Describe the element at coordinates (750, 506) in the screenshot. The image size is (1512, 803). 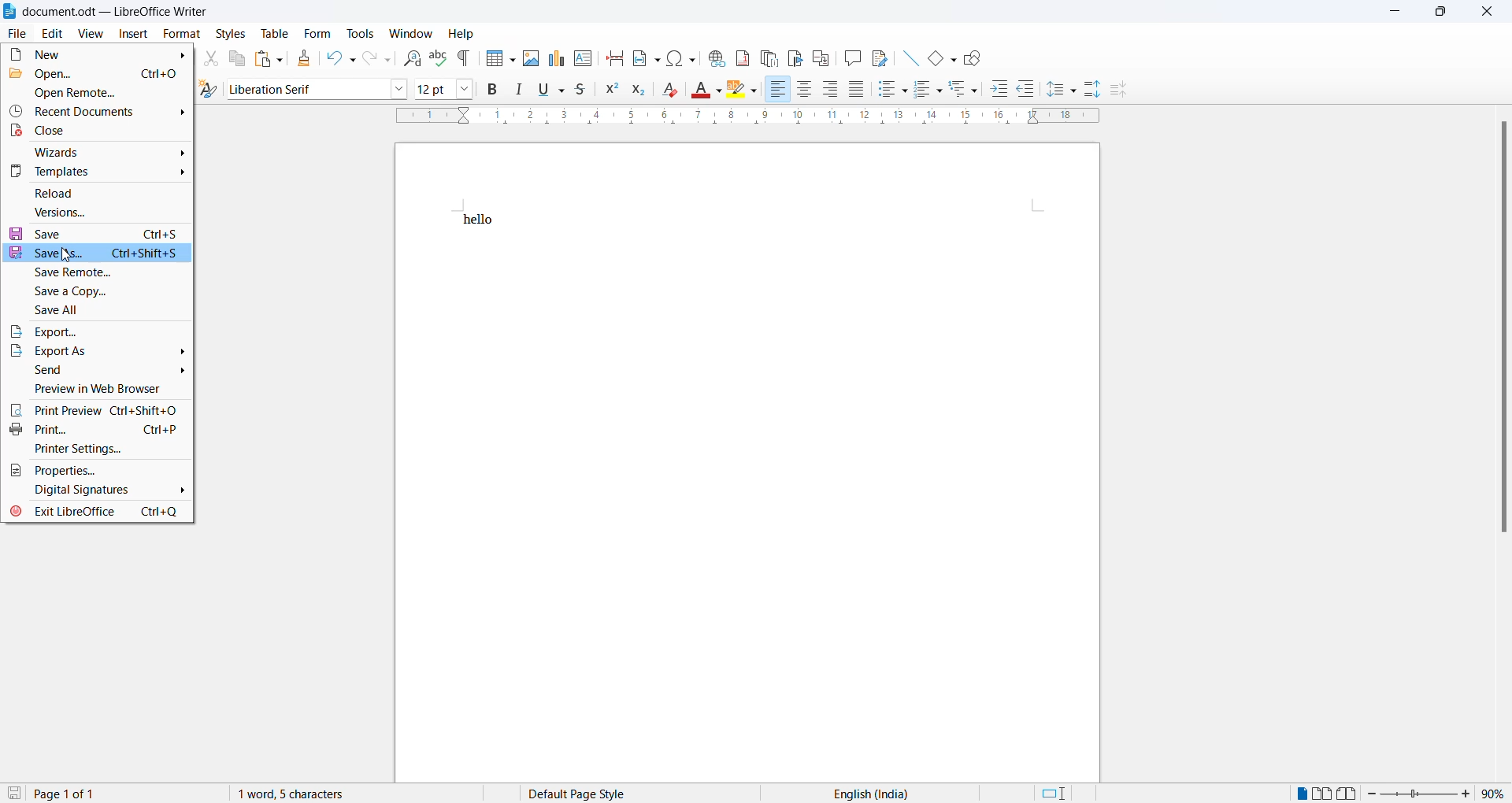
I see `page` at that location.